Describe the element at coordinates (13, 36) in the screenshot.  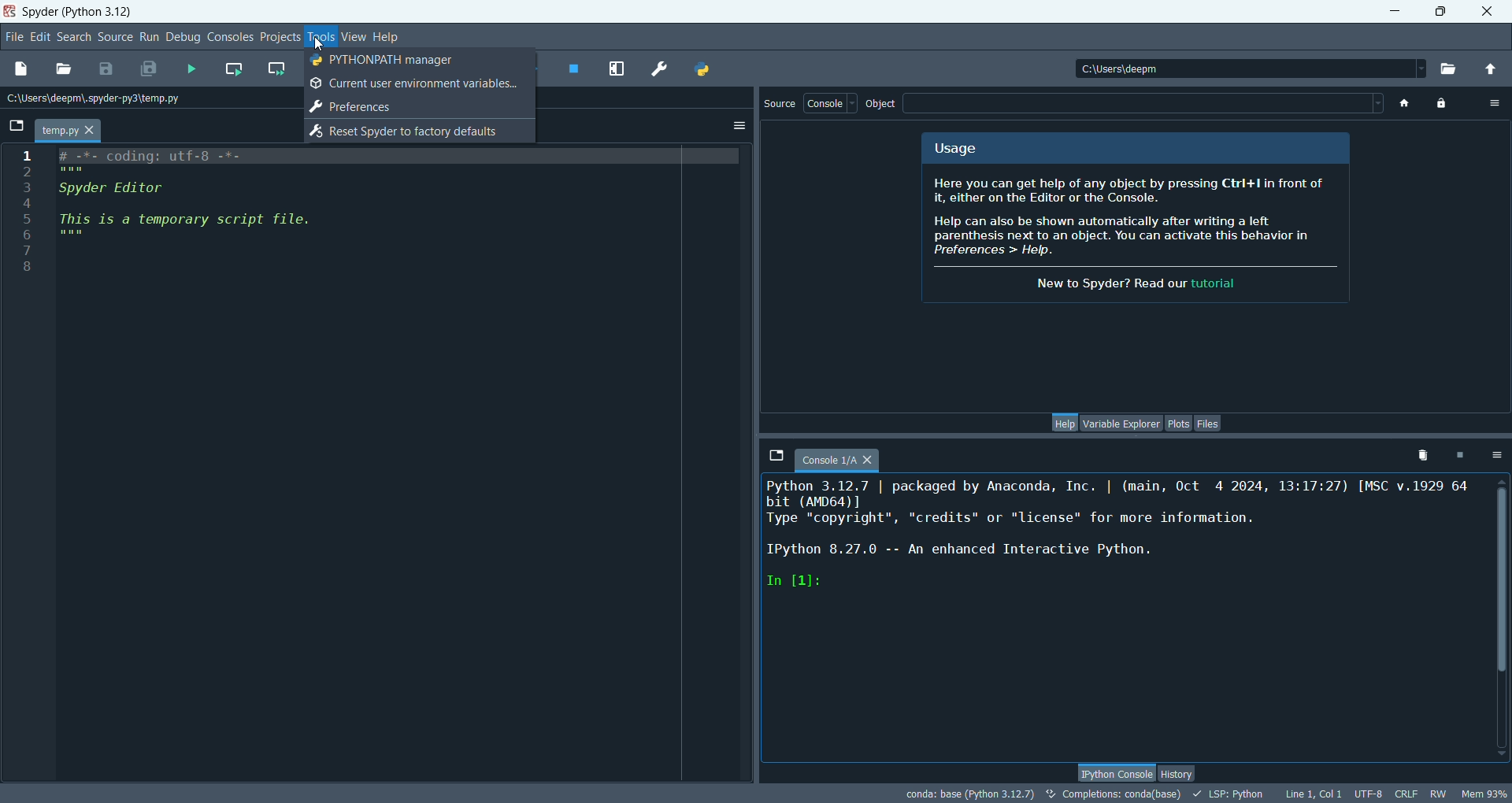
I see `file` at that location.